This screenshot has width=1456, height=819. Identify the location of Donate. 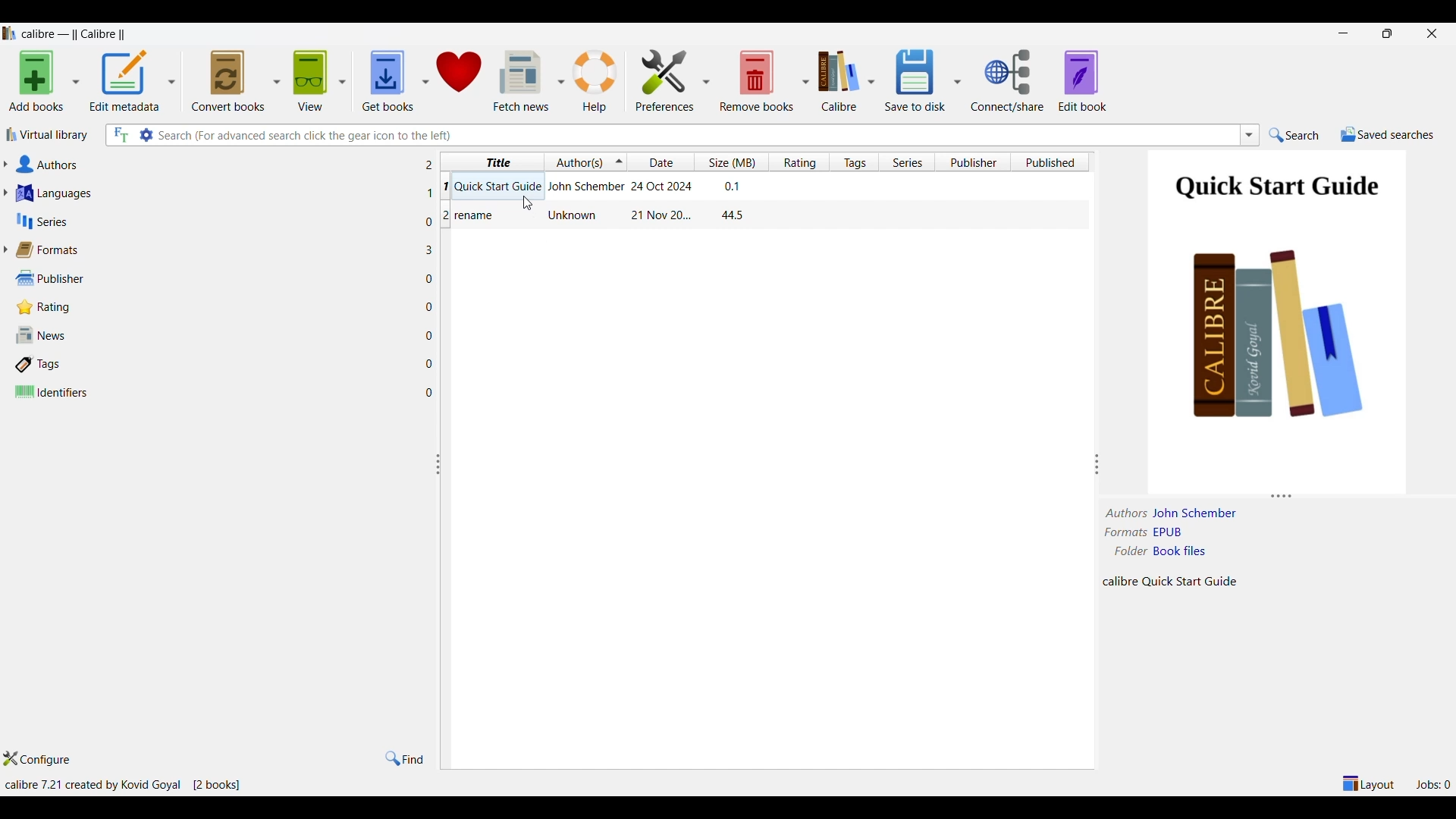
(460, 80).